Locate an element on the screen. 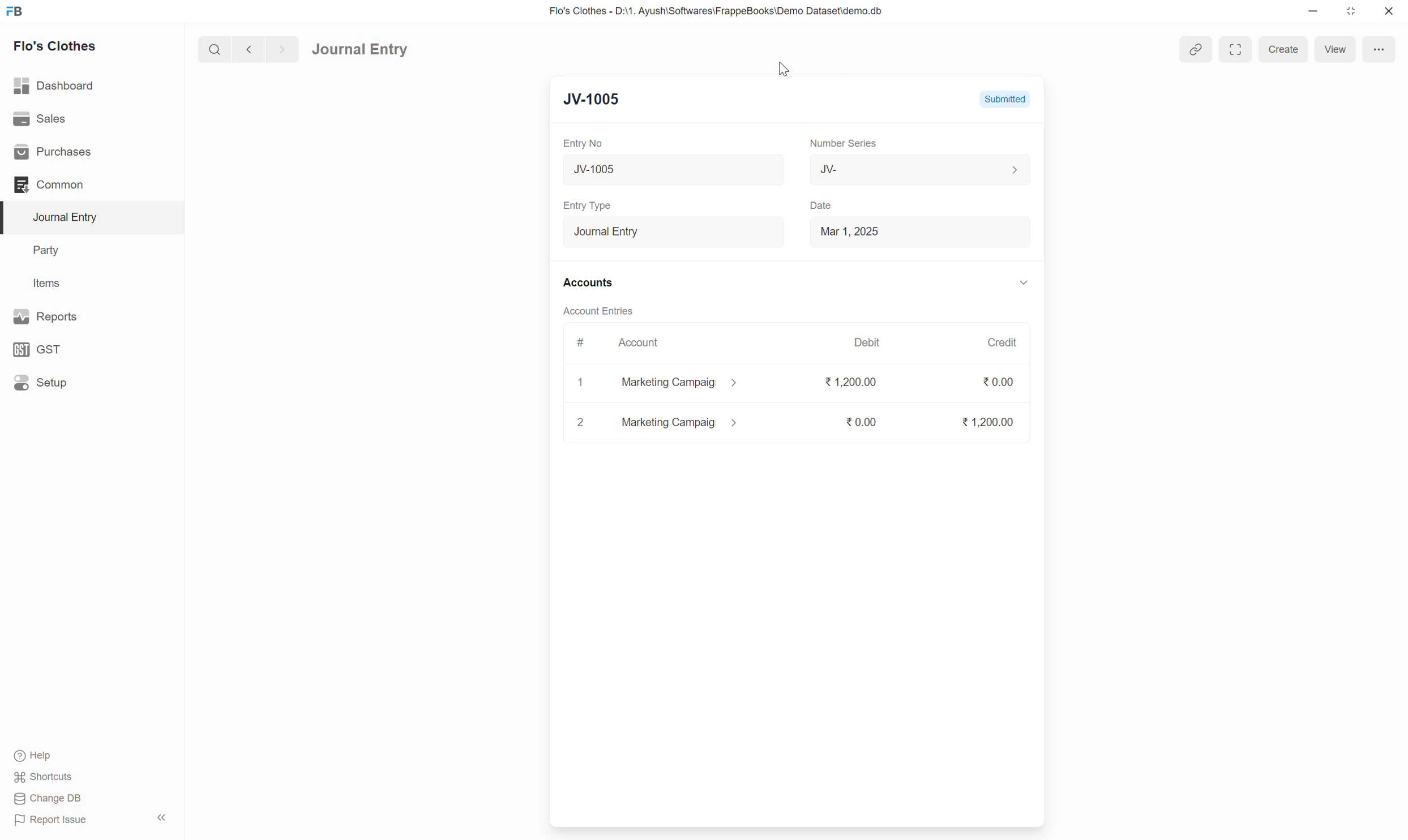 Image resolution: width=1408 pixels, height=840 pixels. Journal Entry is located at coordinates (70, 217).